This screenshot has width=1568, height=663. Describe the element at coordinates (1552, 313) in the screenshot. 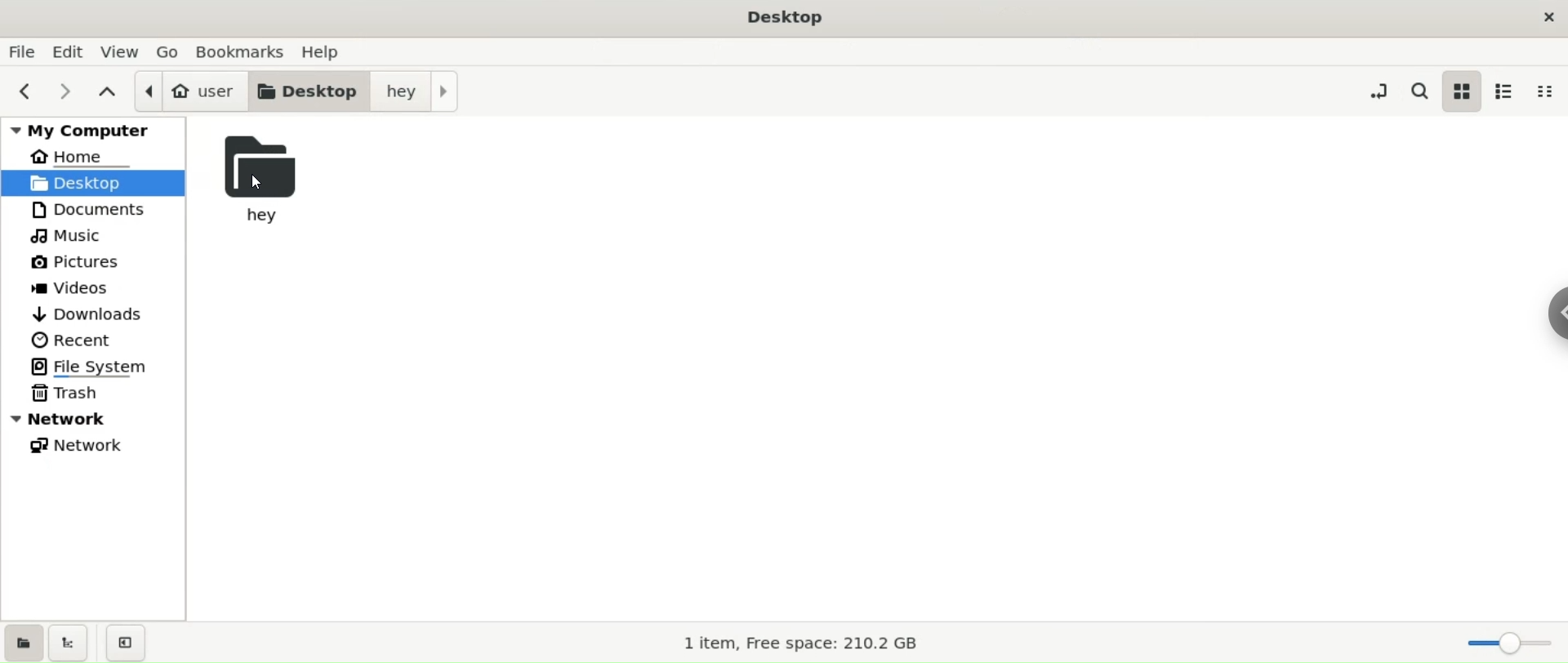

I see `sidebar` at that location.